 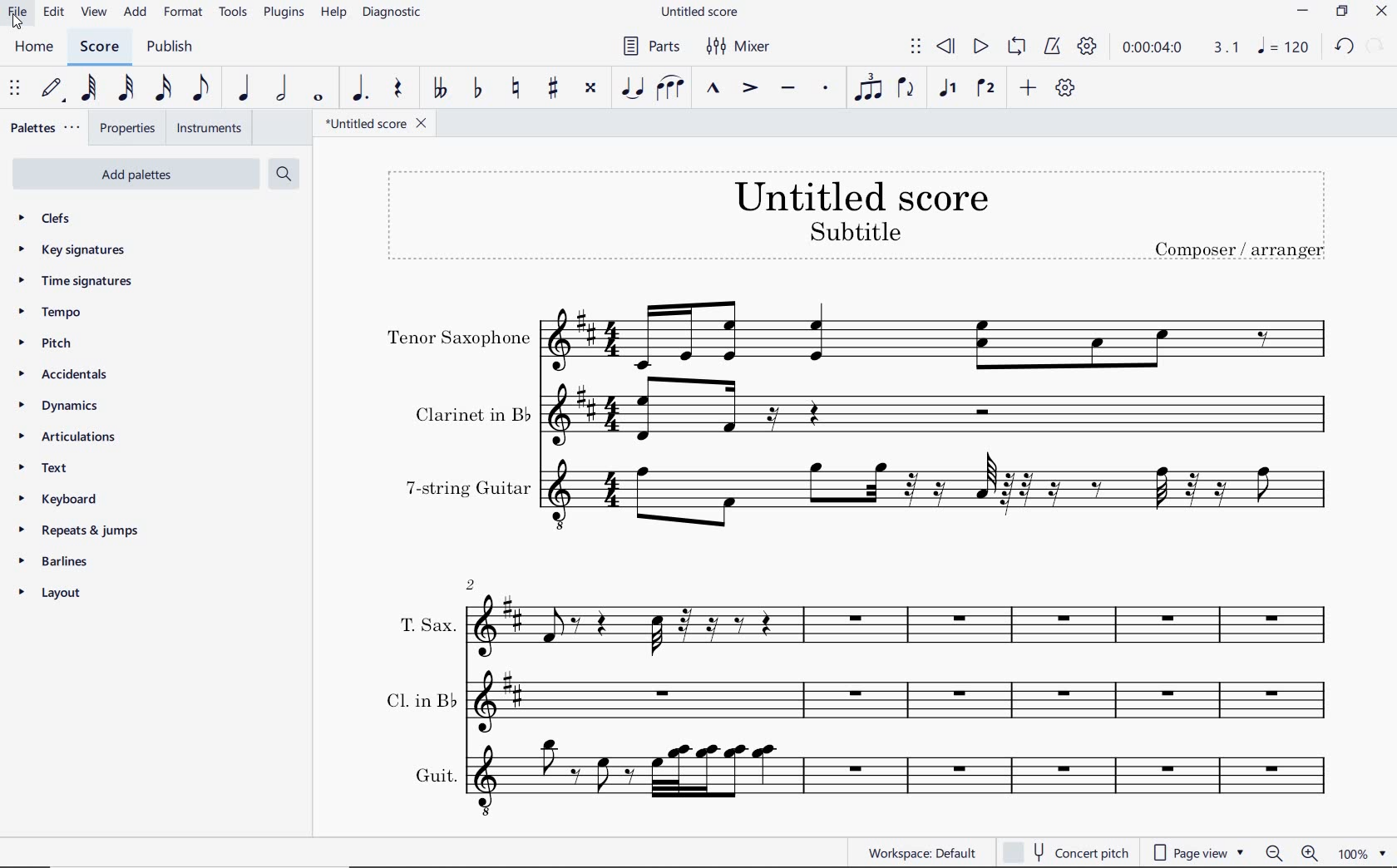 What do you see at coordinates (53, 470) in the screenshot?
I see `TEXT` at bounding box center [53, 470].